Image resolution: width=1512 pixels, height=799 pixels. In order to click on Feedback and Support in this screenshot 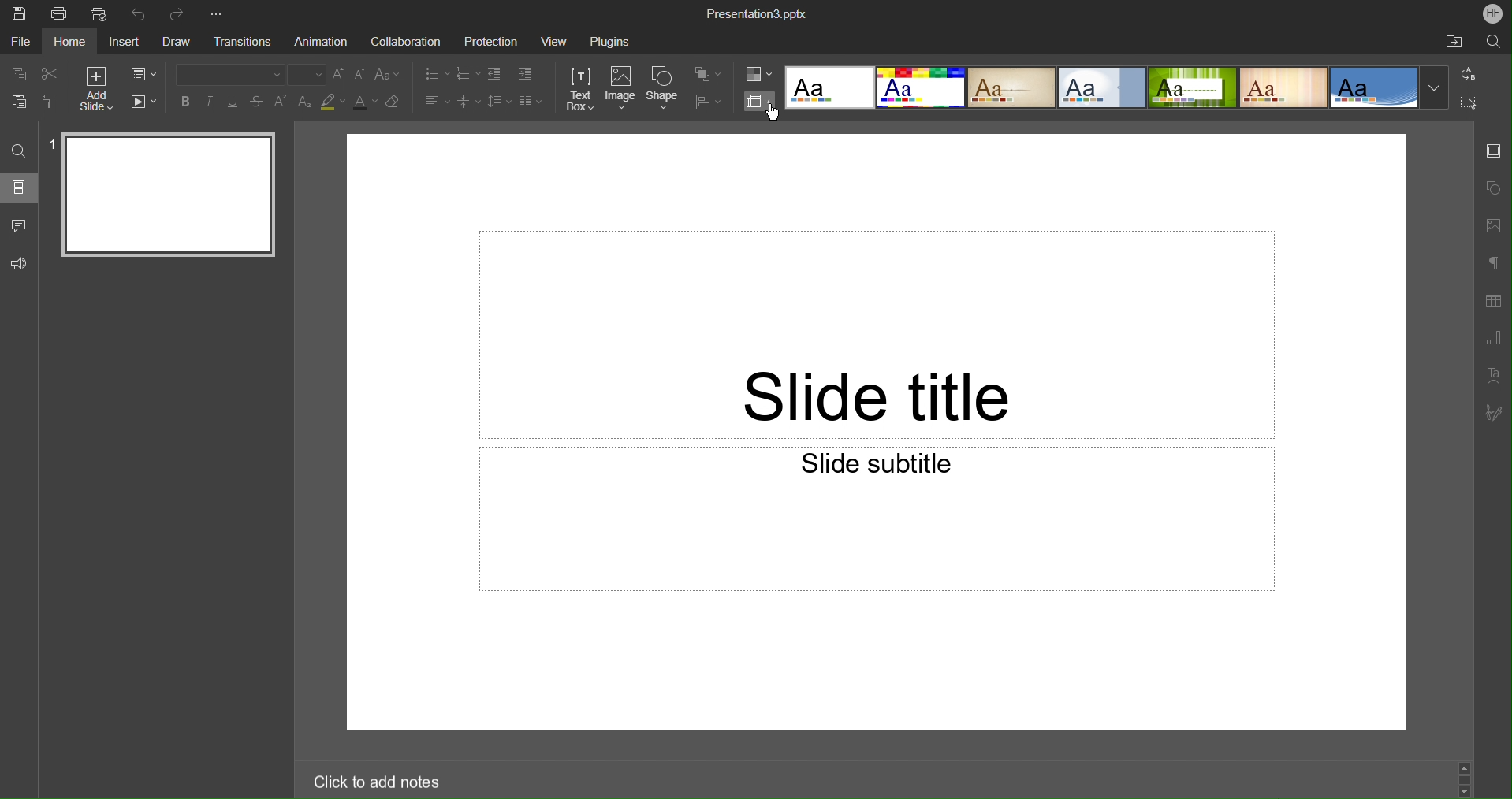, I will do `click(19, 263)`.